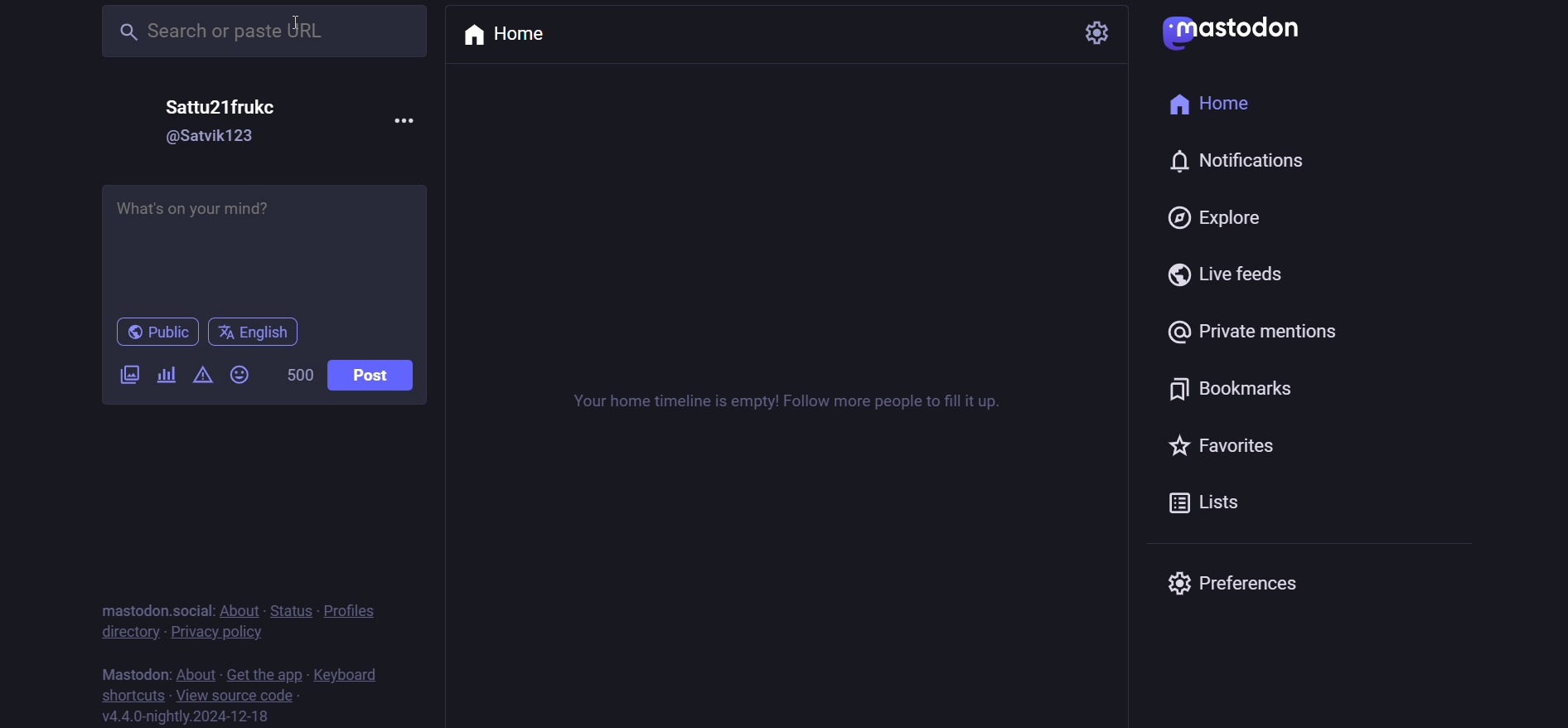 This screenshot has height=728, width=1568. I want to click on shortcut, so click(133, 696).